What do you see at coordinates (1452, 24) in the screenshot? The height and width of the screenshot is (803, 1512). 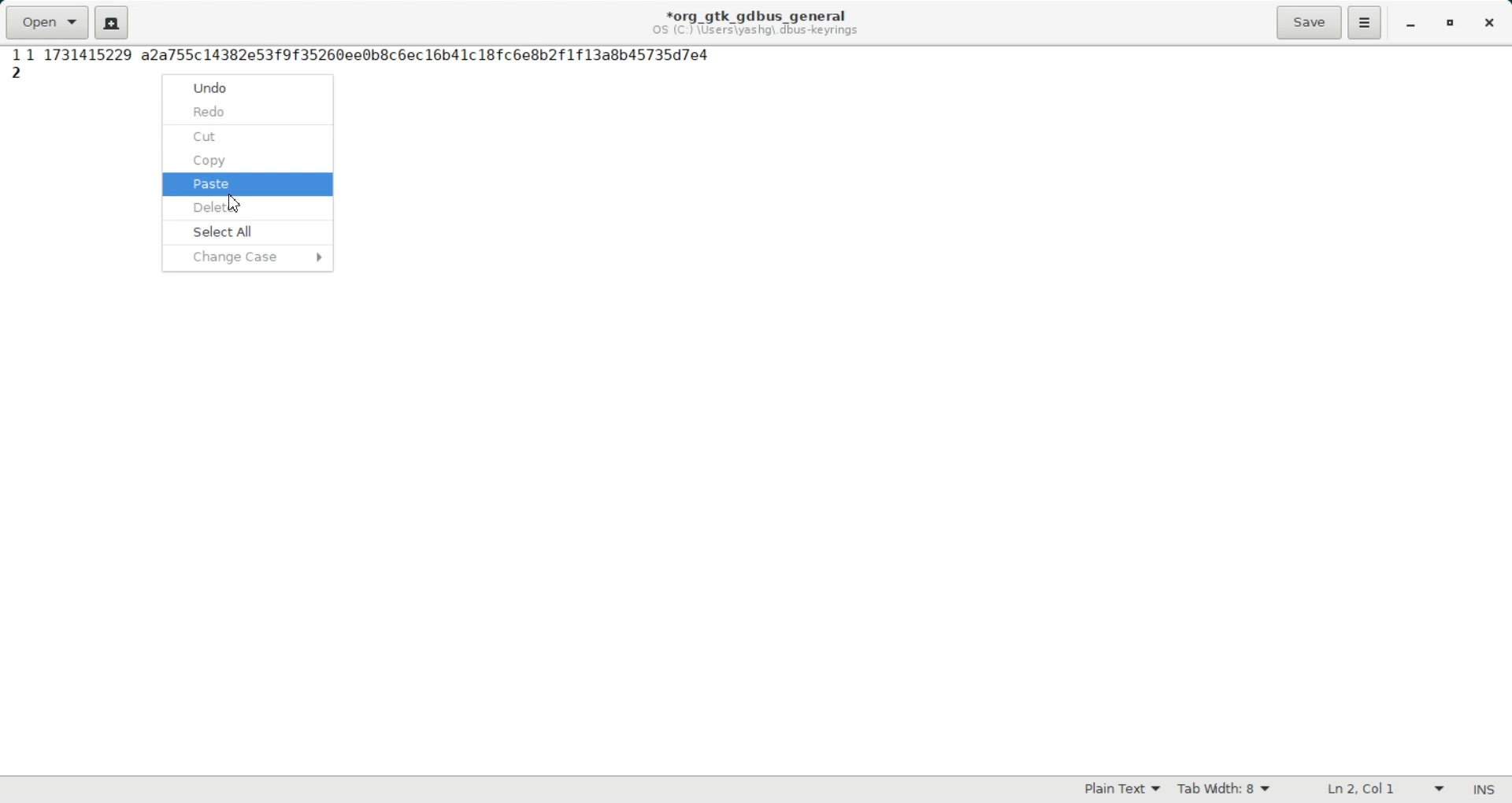 I see `Maximize` at bounding box center [1452, 24].